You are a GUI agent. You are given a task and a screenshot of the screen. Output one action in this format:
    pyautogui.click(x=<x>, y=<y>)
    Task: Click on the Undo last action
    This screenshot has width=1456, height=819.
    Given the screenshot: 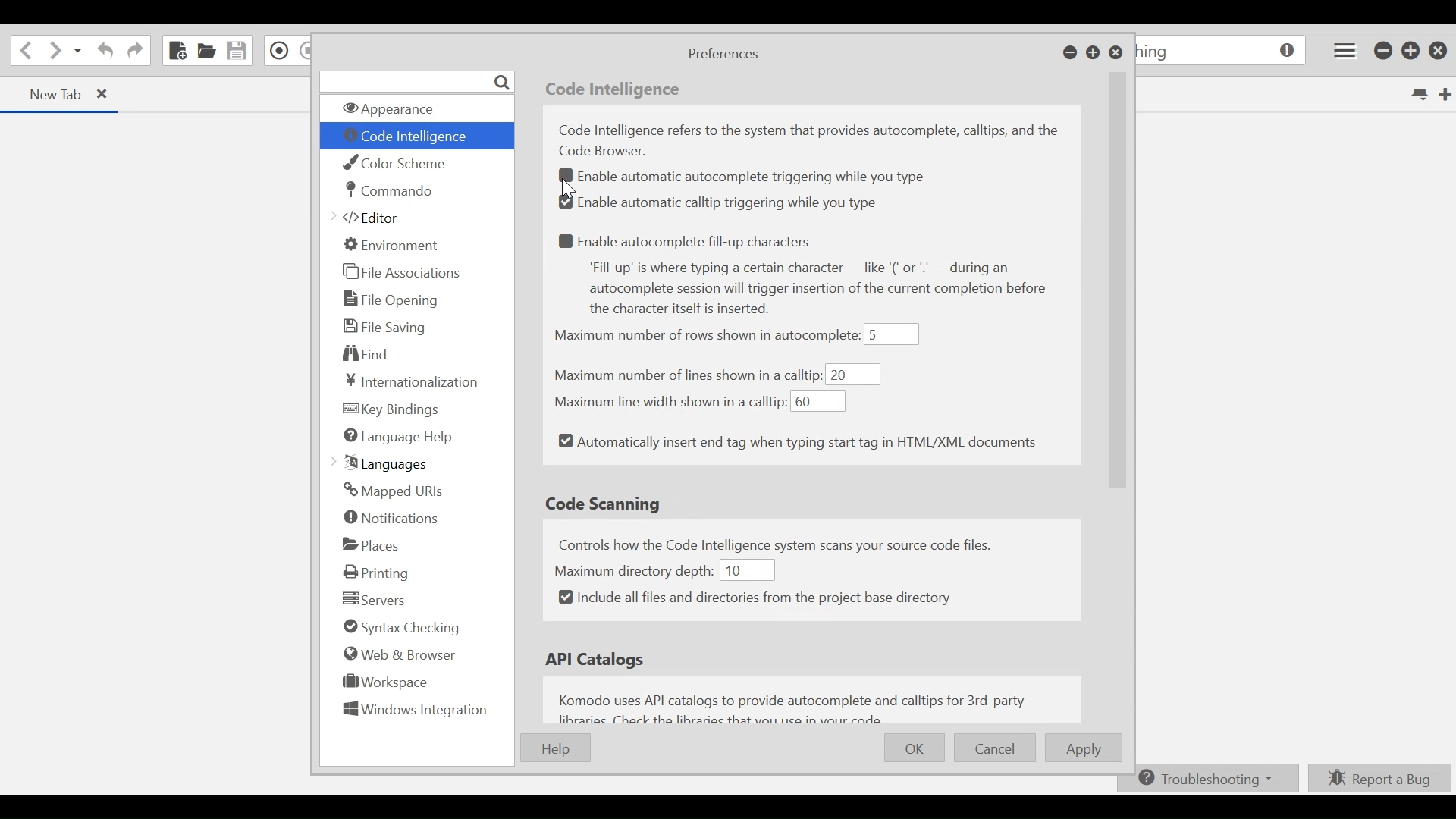 What is the action you would take?
    pyautogui.click(x=103, y=52)
    